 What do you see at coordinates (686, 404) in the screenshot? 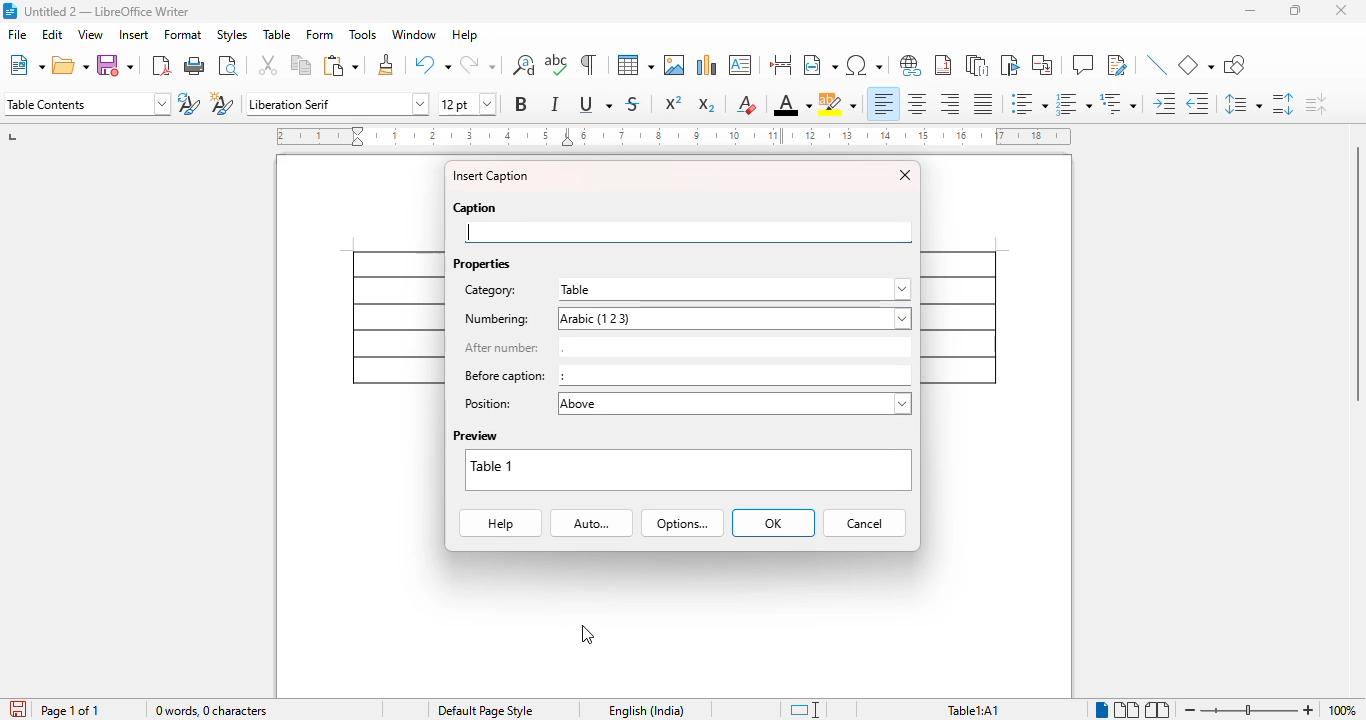
I see `position: above` at bounding box center [686, 404].